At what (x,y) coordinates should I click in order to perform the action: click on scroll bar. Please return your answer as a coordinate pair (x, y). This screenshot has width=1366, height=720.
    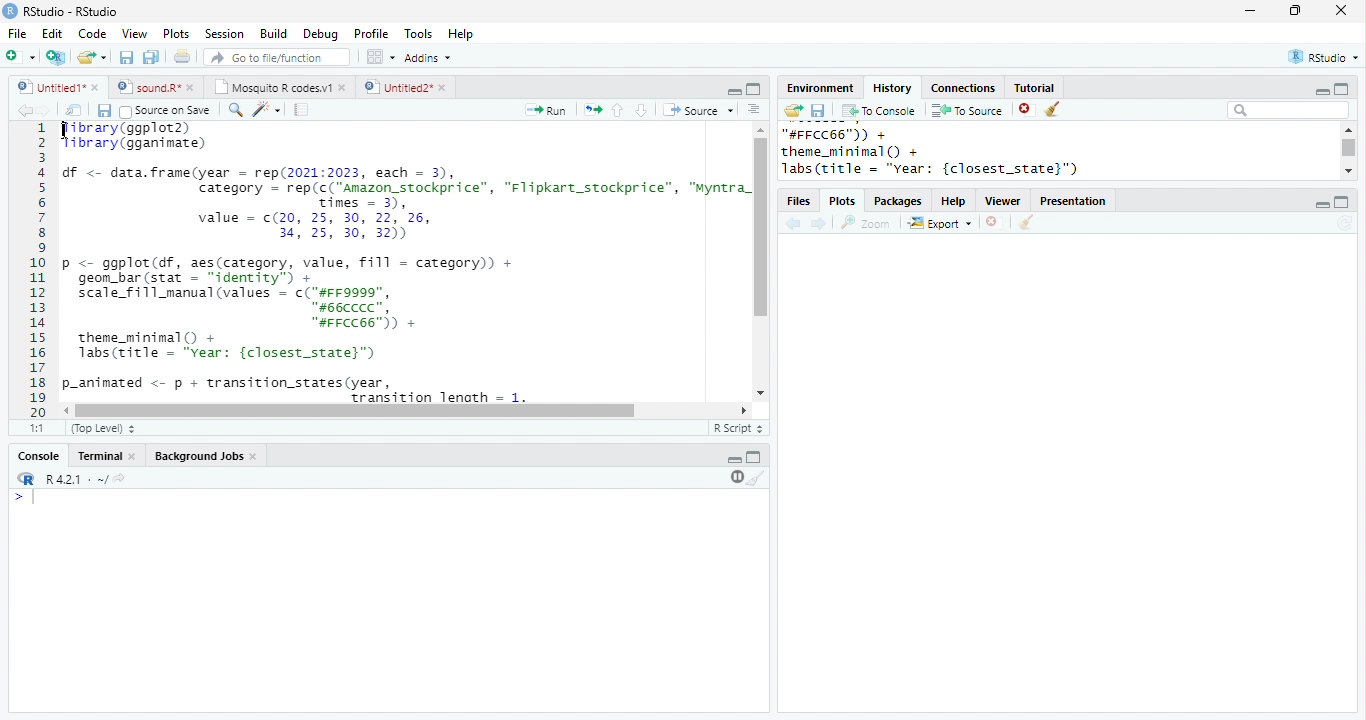
    Looking at the image, I should click on (356, 411).